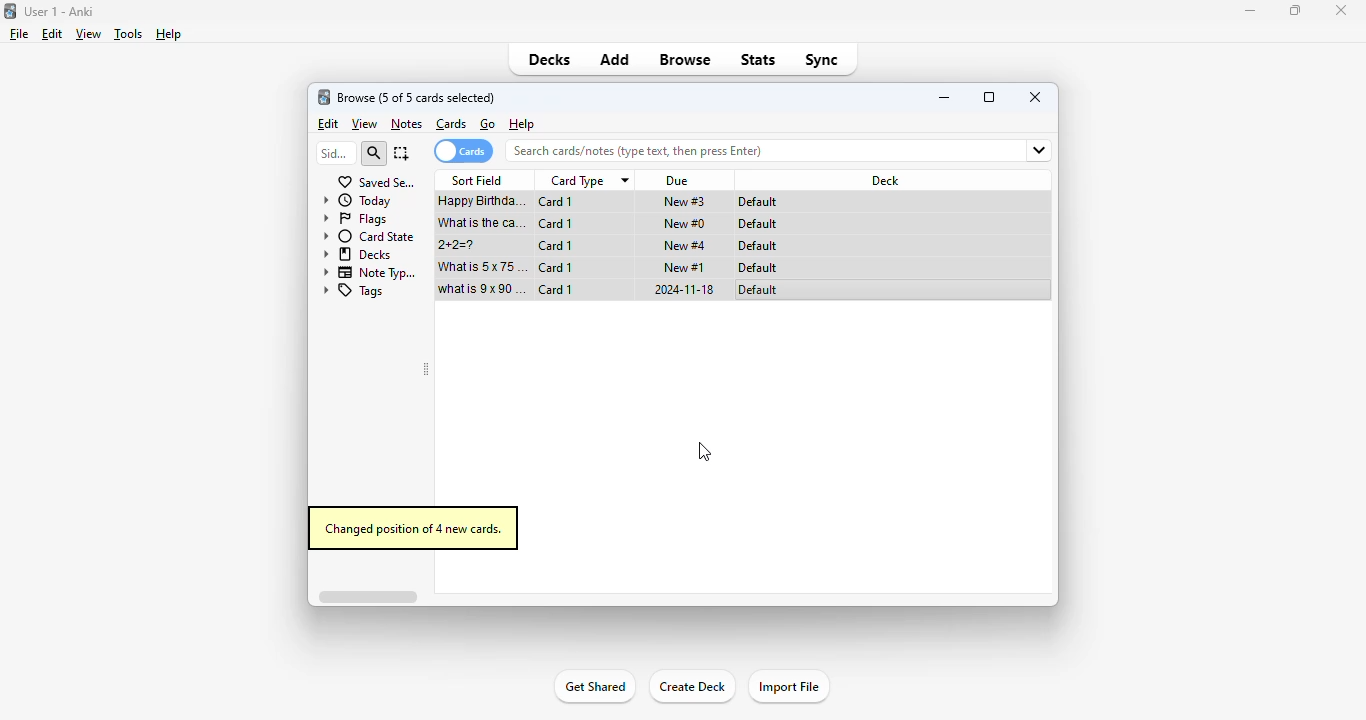 This screenshot has width=1366, height=720. What do you see at coordinates (330, 124) in the screenshot?
I see `edit` at bounding box center [330, 124].